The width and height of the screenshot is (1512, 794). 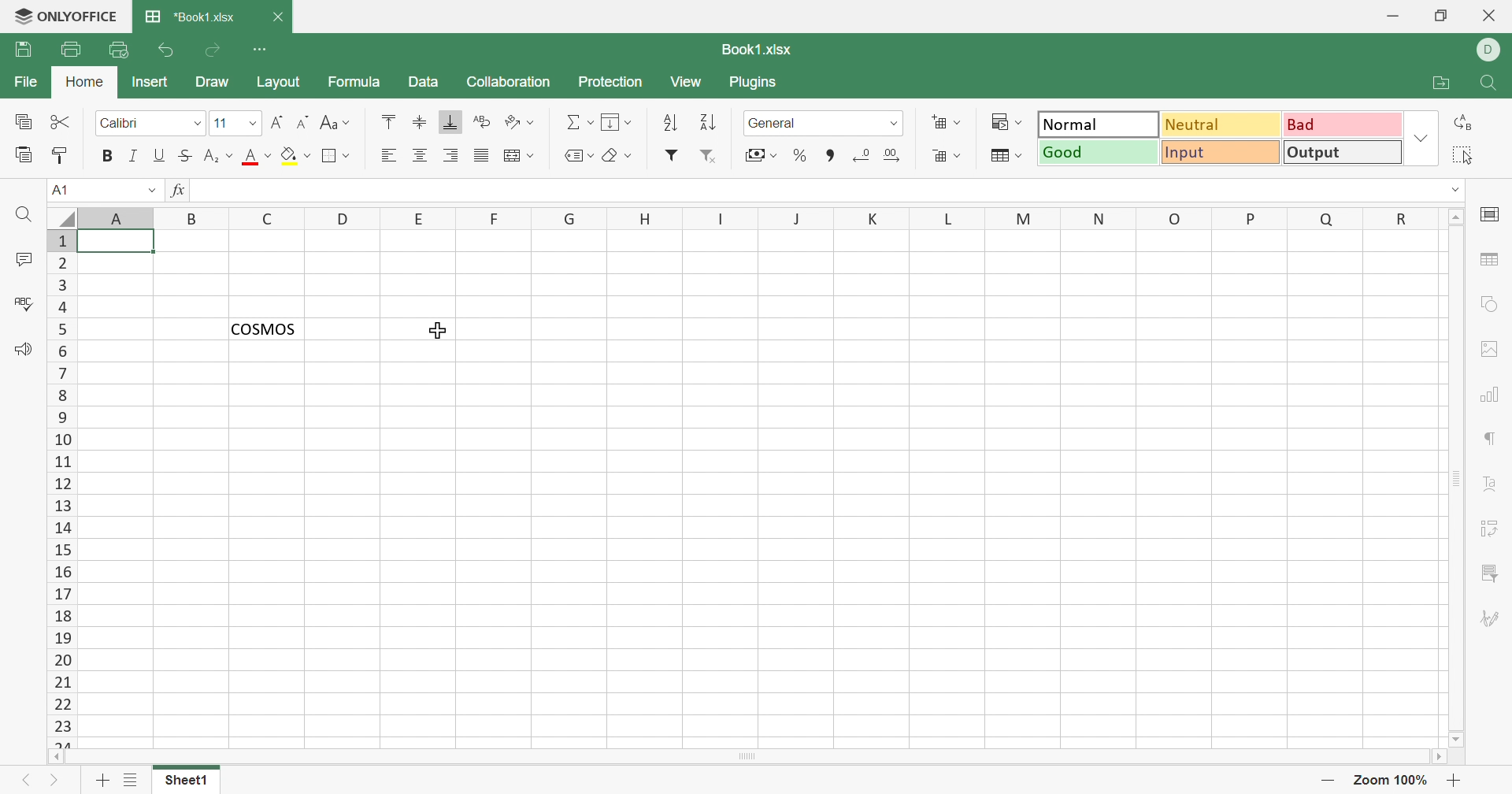 What do you see at coordinates (190, 17) in the screenshot?
I see `Book1.xlsx` at bounding box center [190, 17].